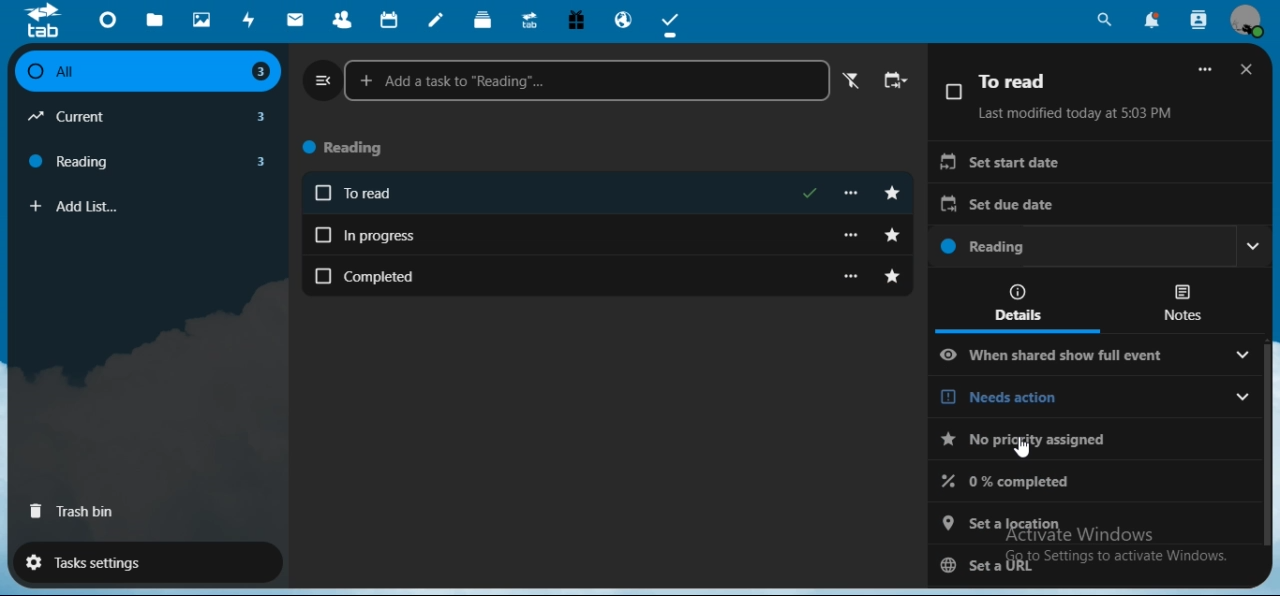  What do you see at coordinates (1100, 162) in the screenshot?
I see `set start date` at bounding box center [1100, 162].